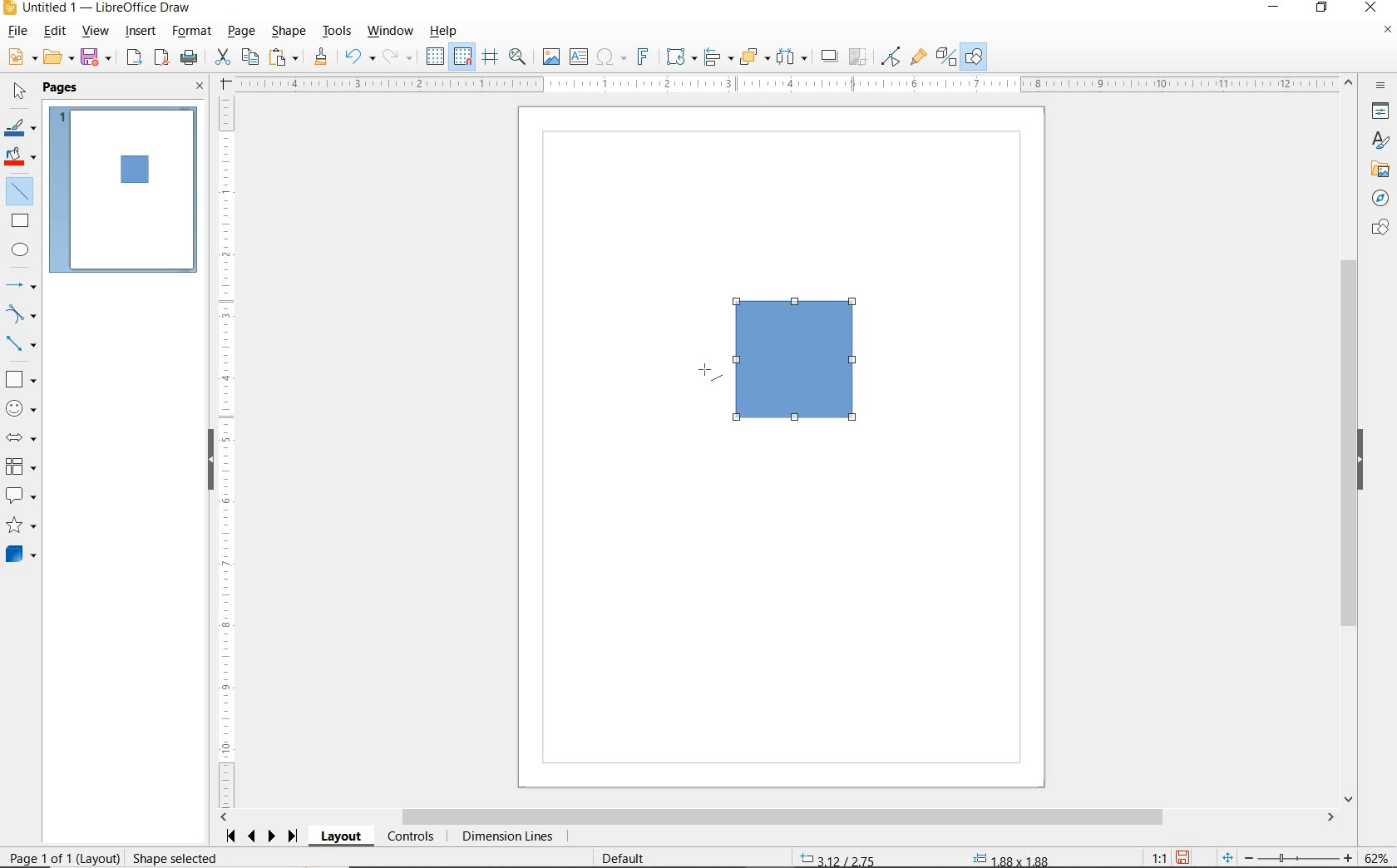 This screenshot has height=868, width=1397. I want to click on INSERT LINE, so click(22, 191).